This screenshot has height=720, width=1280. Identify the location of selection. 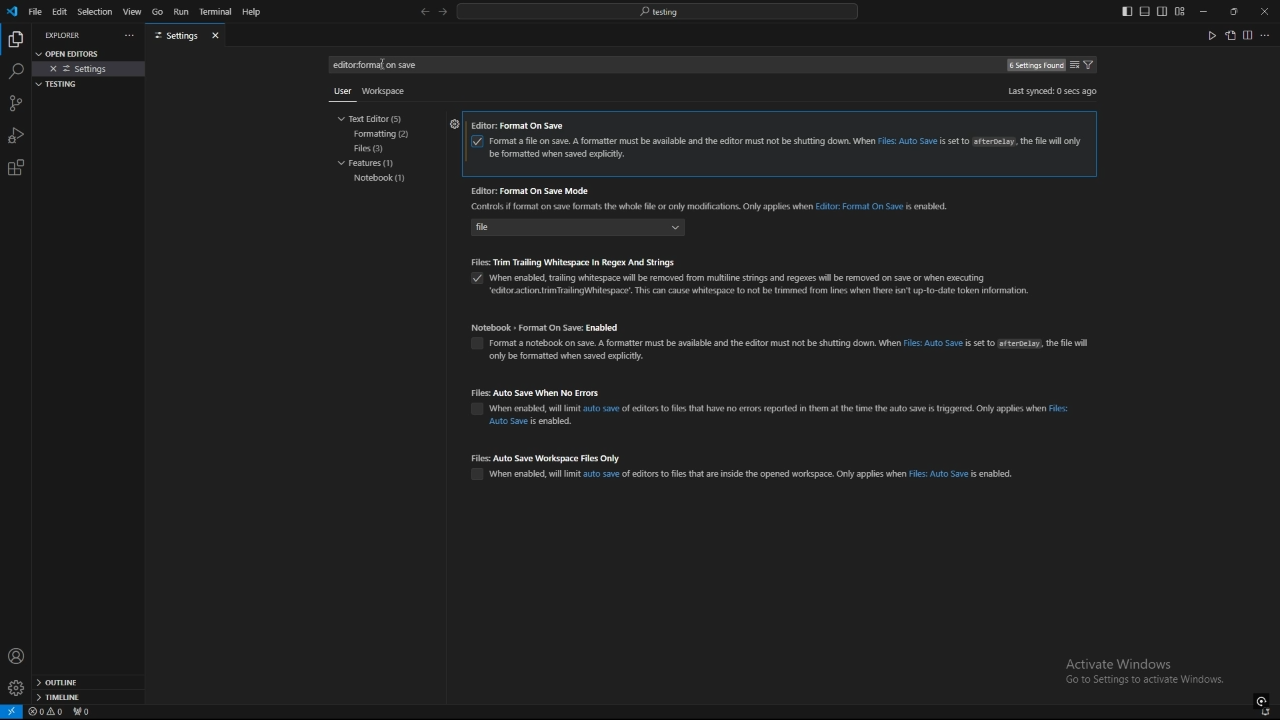
(94, 12).